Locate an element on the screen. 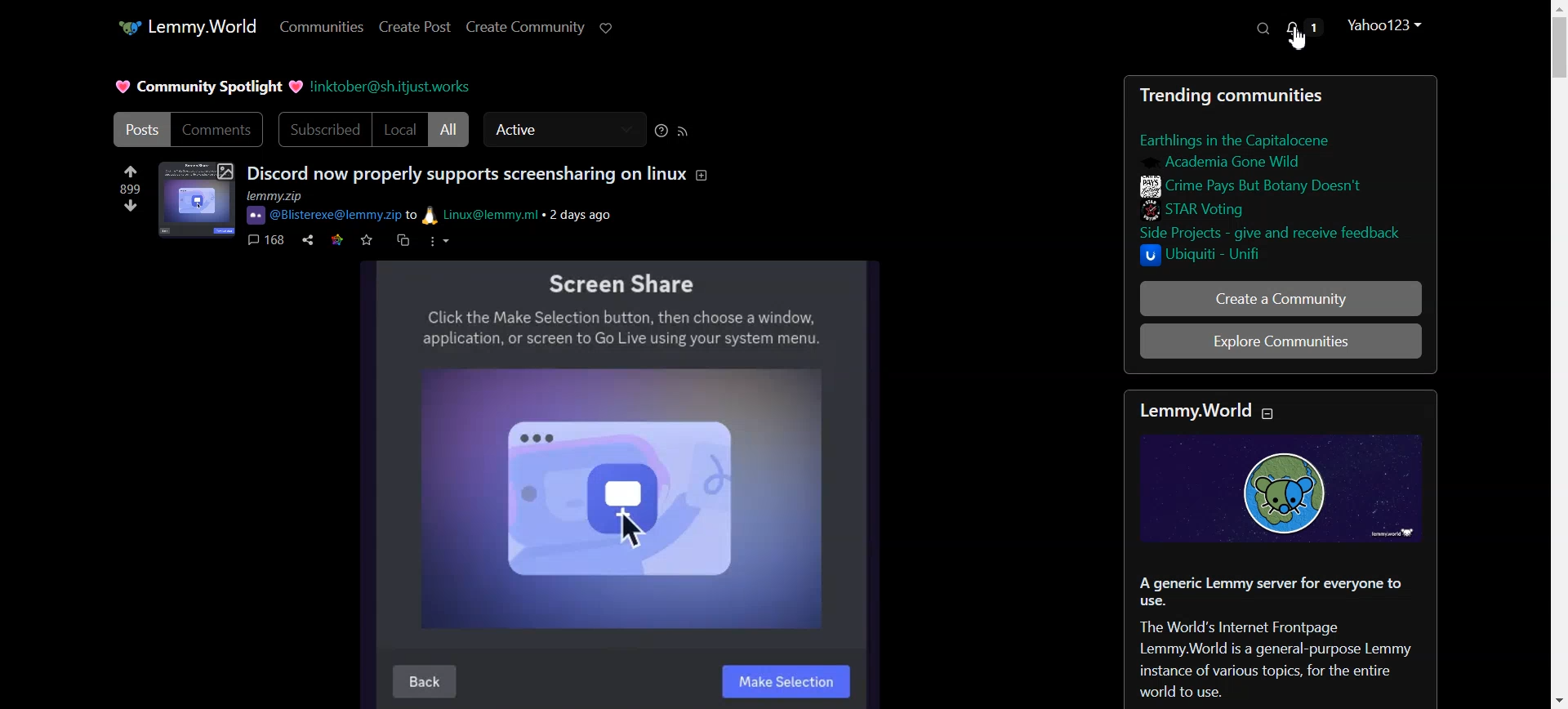 Image resolution: width=1568 pixels, height=709 pixels. Comments is located at coordinates (220, 129).